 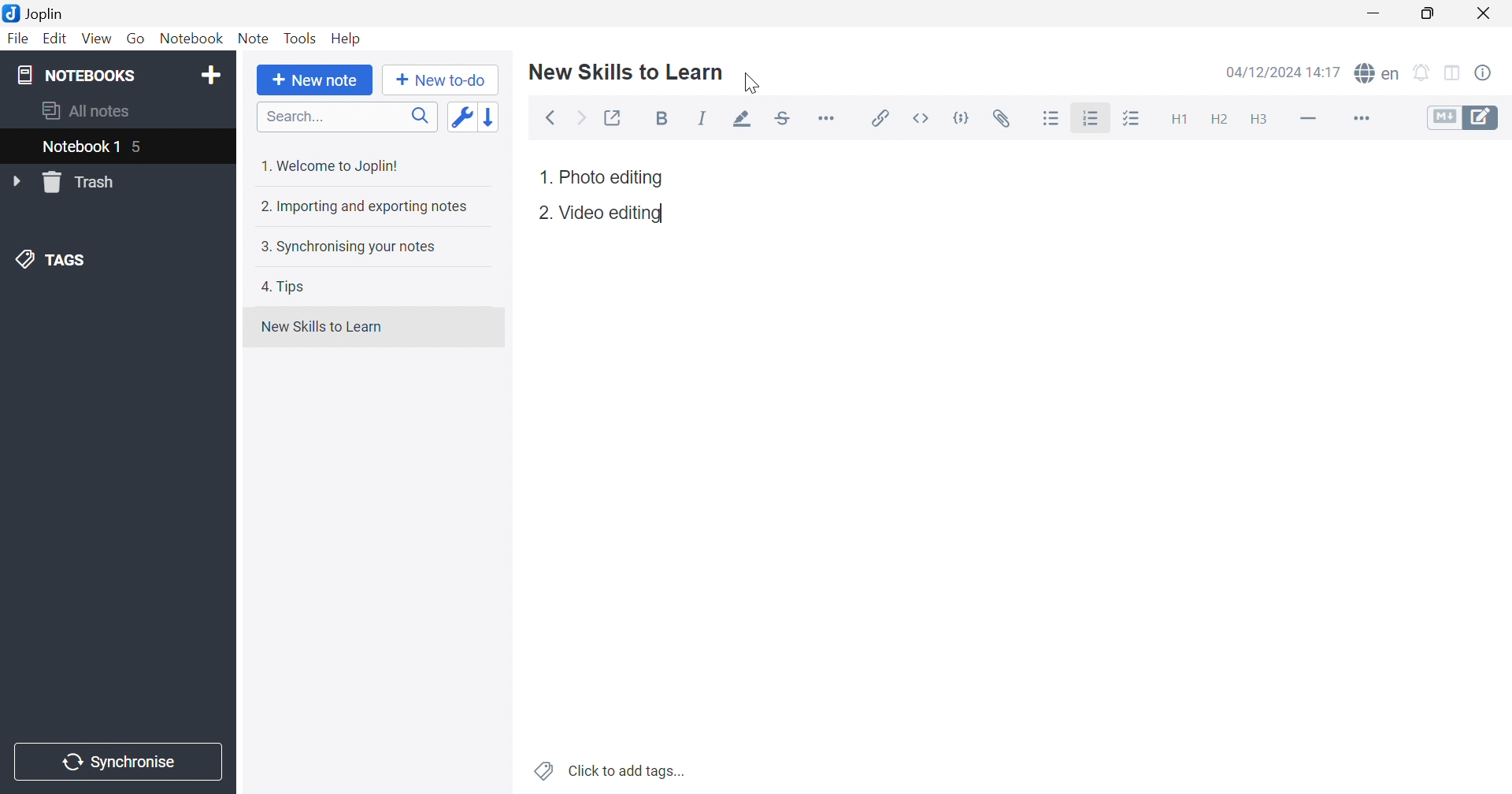 I want to click on New Skills to Learn, so click(x=321, y=327).